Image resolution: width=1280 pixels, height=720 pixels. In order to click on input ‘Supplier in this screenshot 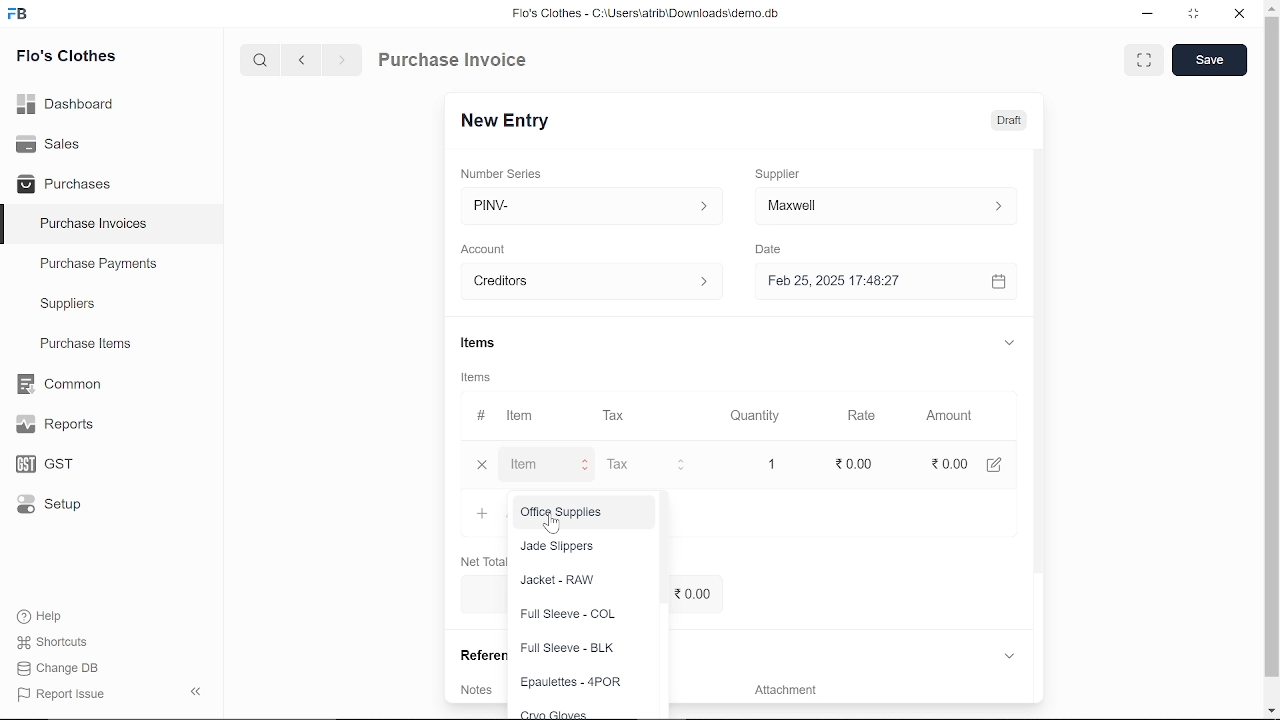, I will do `click(894, 204)`.